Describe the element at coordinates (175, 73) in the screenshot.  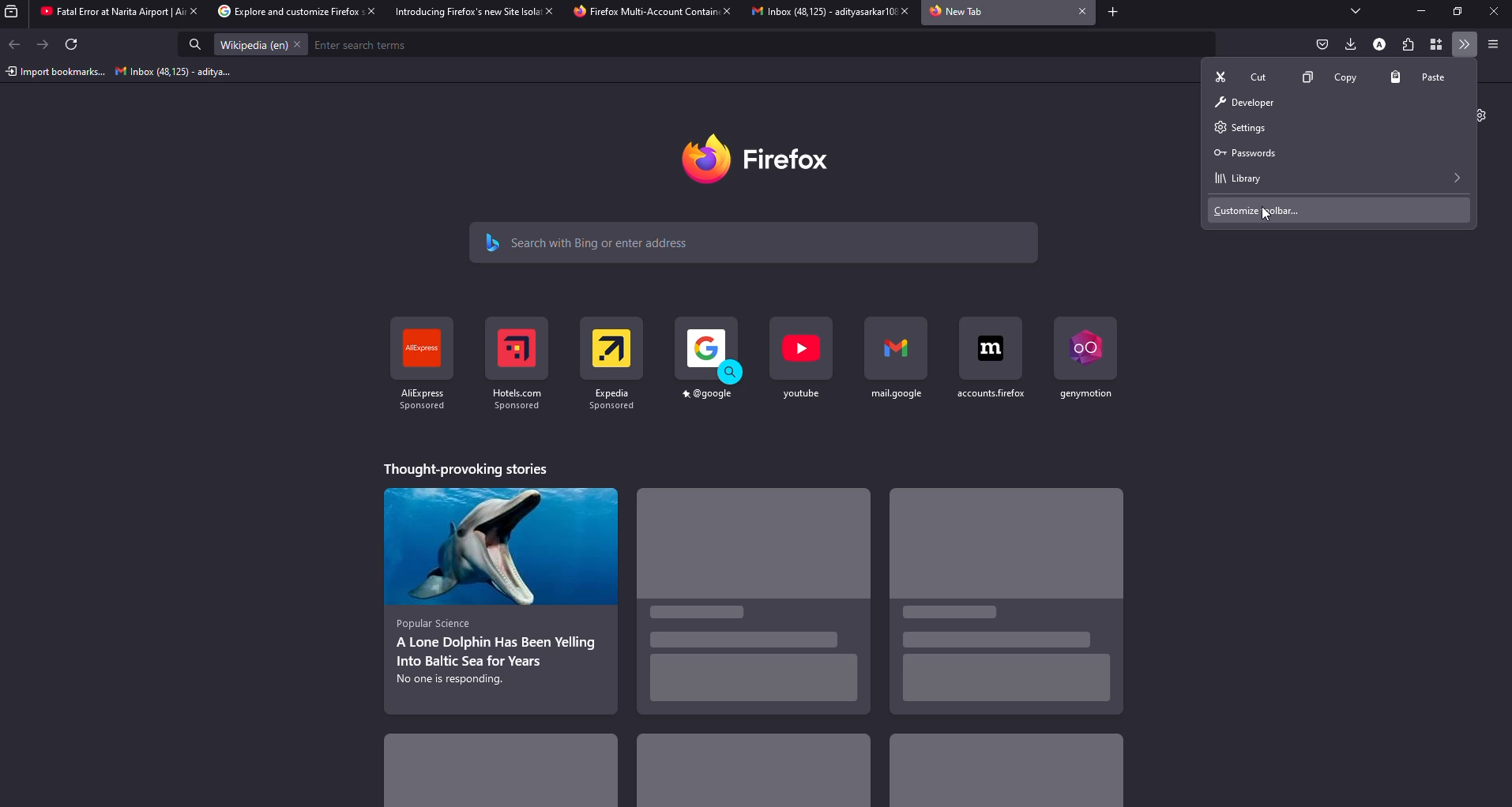
I see `inbox` at that location.